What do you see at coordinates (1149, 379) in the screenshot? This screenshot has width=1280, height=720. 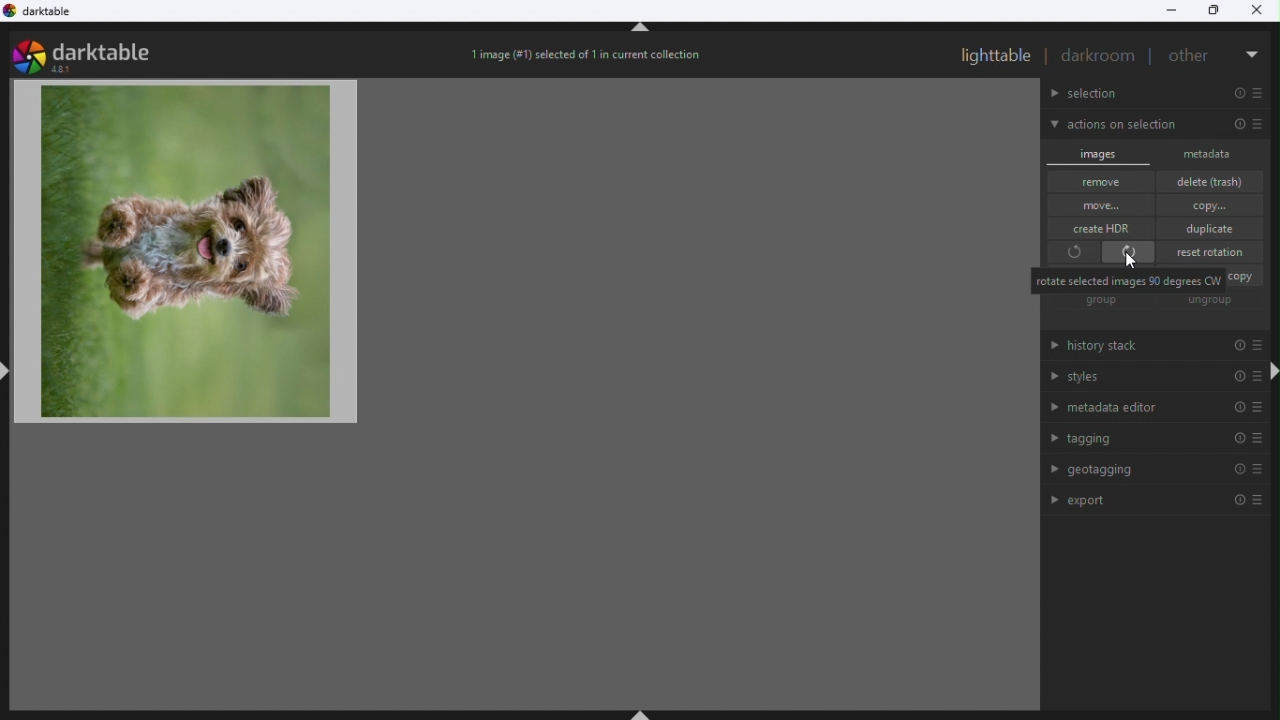 I see `Styles` at bounding box center [1149, 379].